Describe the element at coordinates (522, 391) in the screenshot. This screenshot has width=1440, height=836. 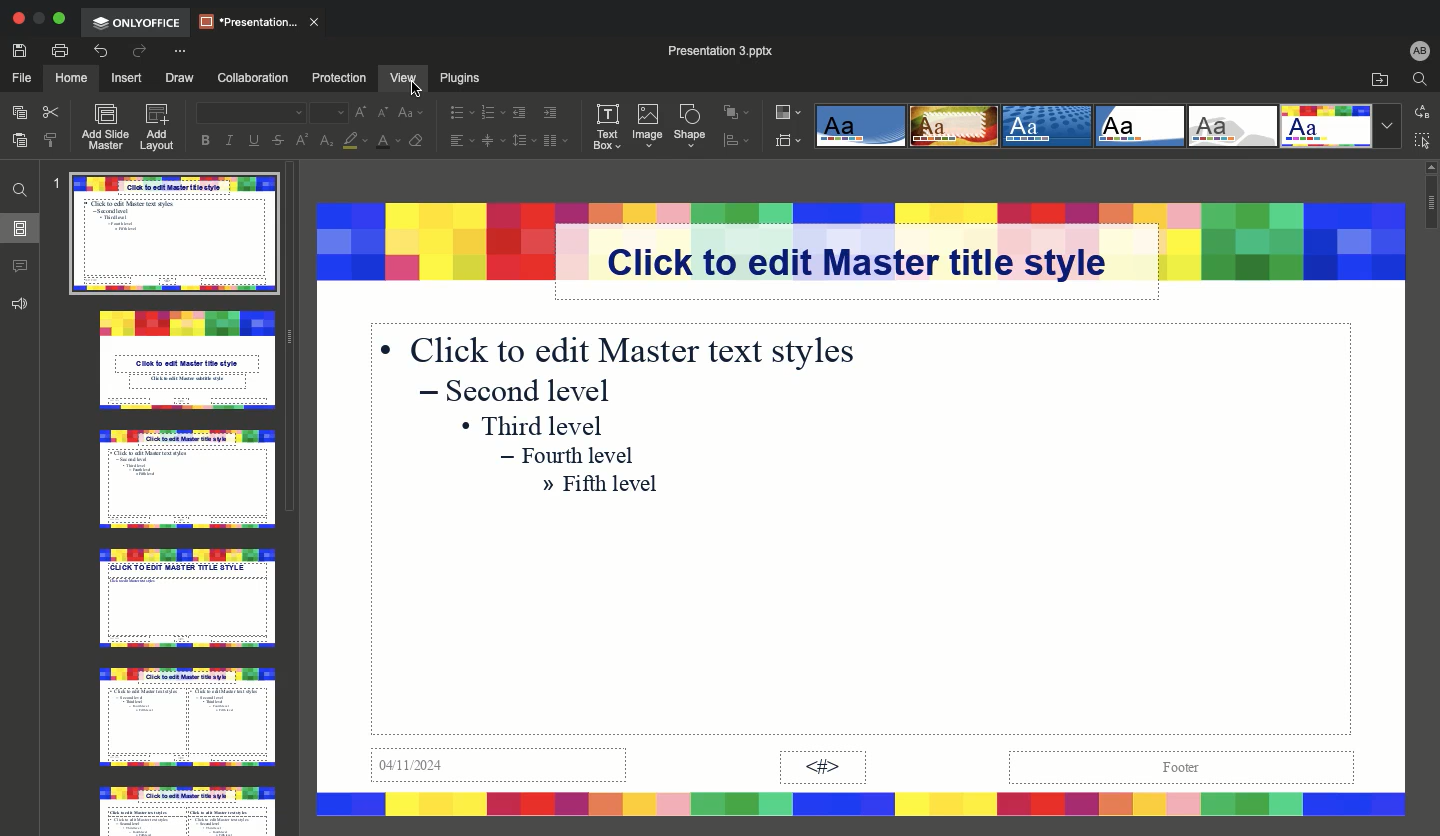
I see `+ Second level` at that location.